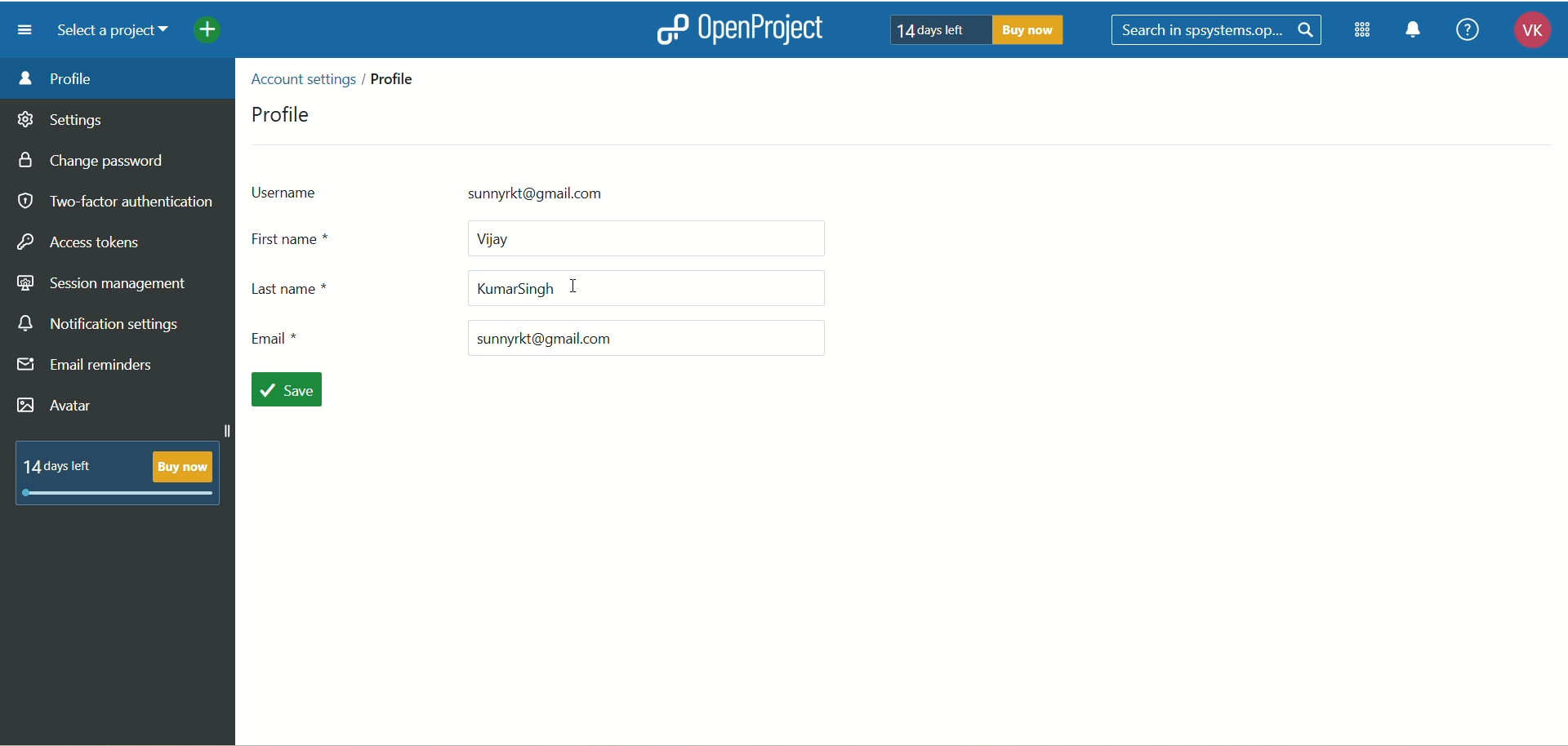  Describe the element at coordinates (1364, 33) in the screenshot. I see `modules` at that location.